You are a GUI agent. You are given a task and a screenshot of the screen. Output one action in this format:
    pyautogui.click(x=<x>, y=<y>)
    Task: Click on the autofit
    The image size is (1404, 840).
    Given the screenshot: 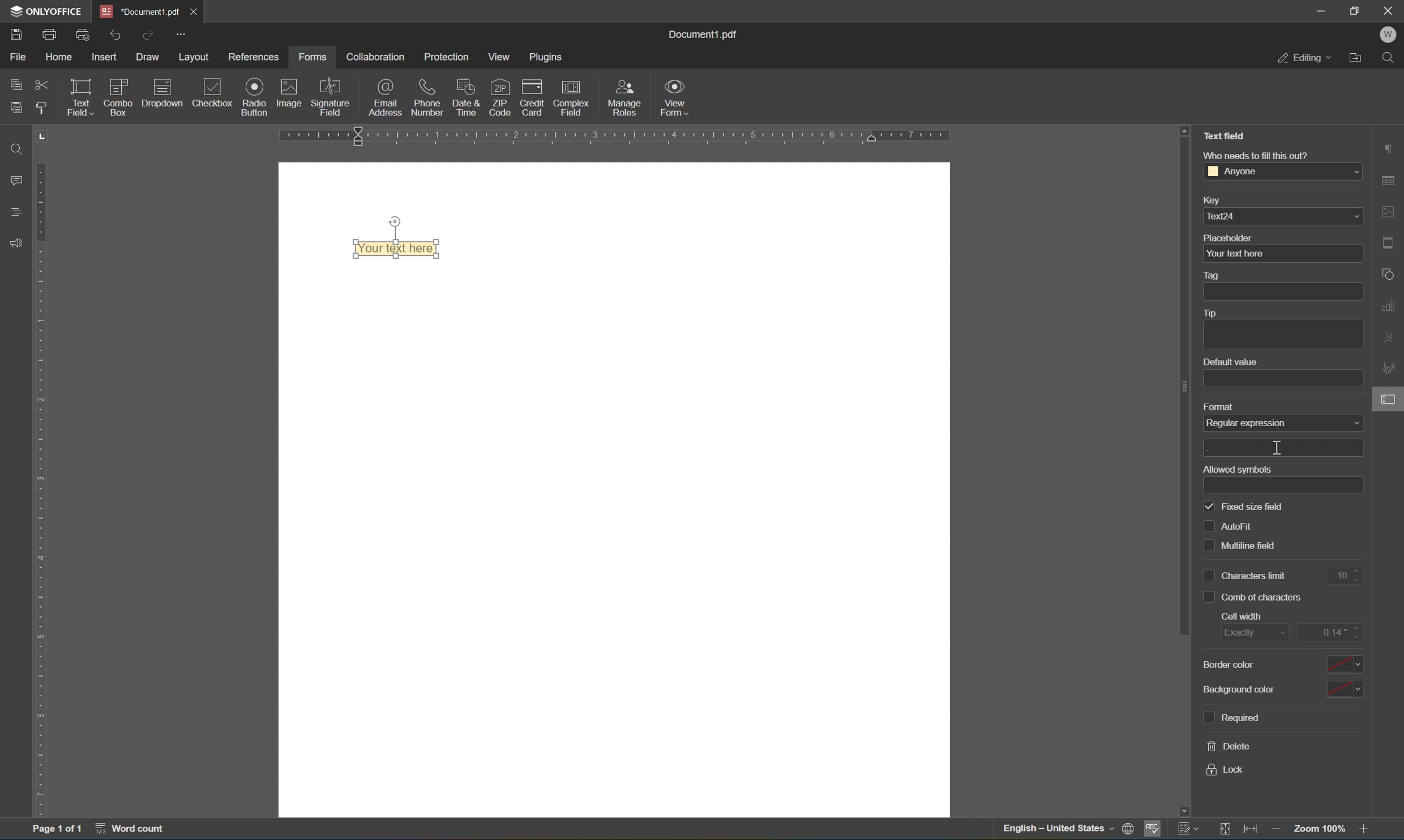 What is the action you would take?
    pyautogui.click(x=1232, y=526)
    